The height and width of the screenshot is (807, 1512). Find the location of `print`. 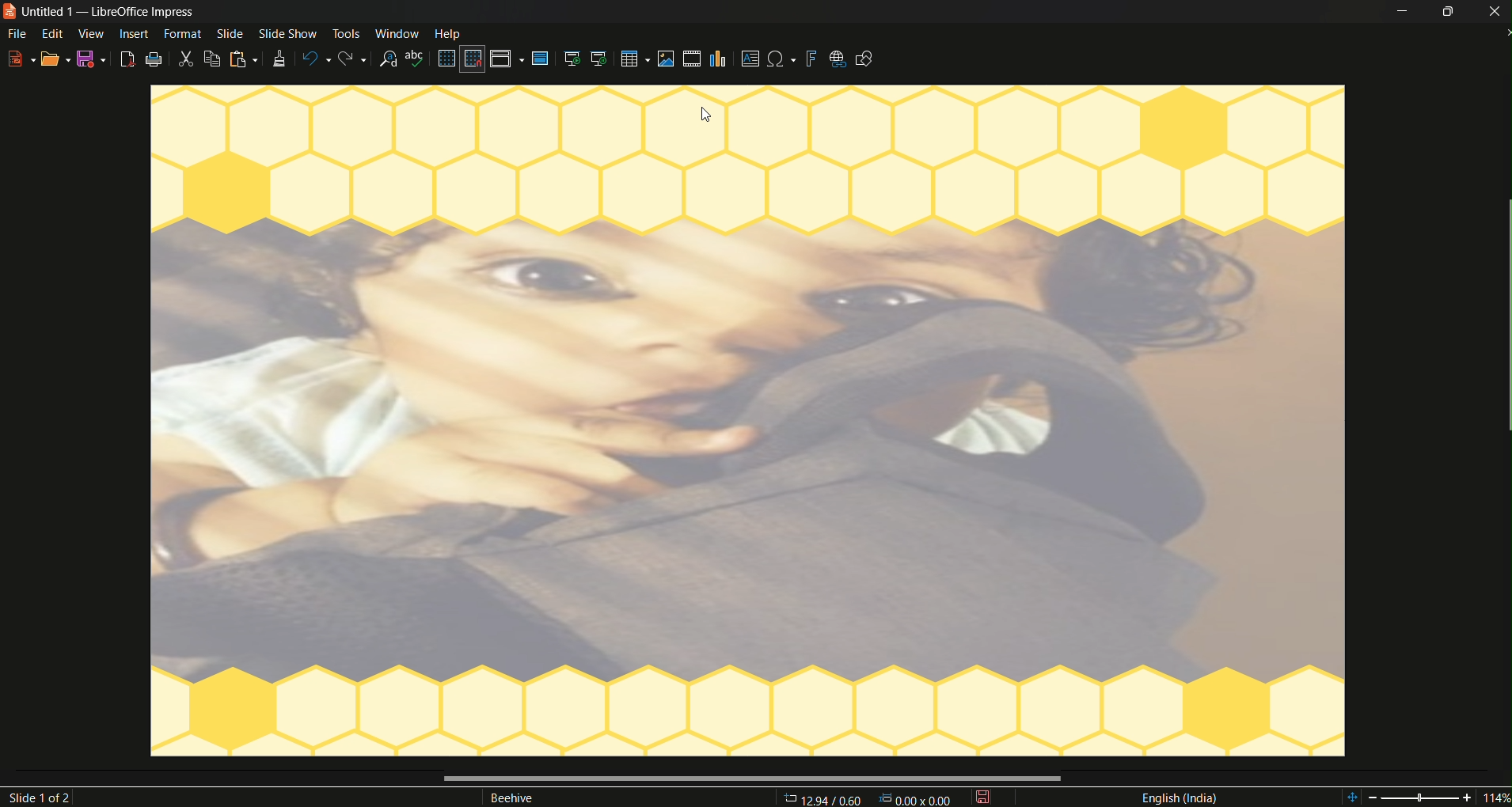

print is located at coordinates (155, 59).